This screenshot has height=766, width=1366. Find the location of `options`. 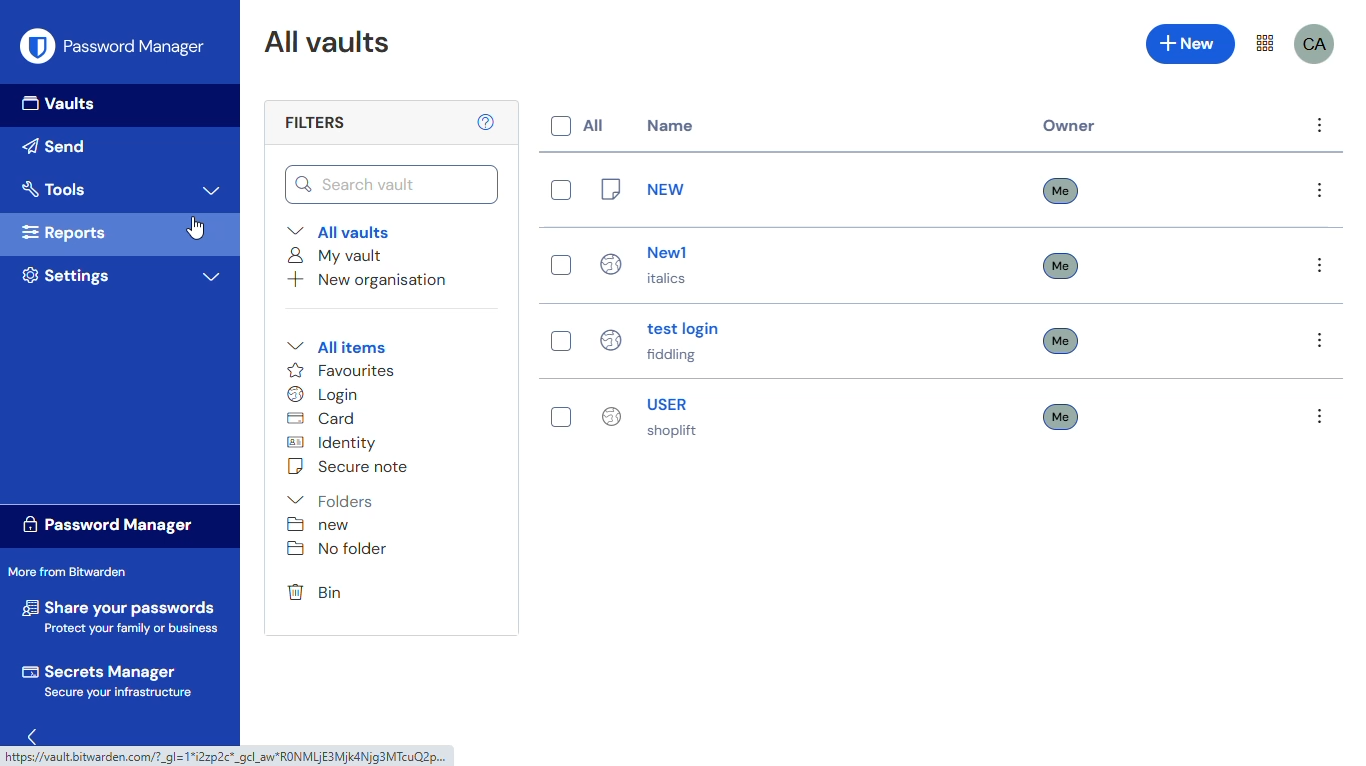

options is located at coordinates (1319, 126).